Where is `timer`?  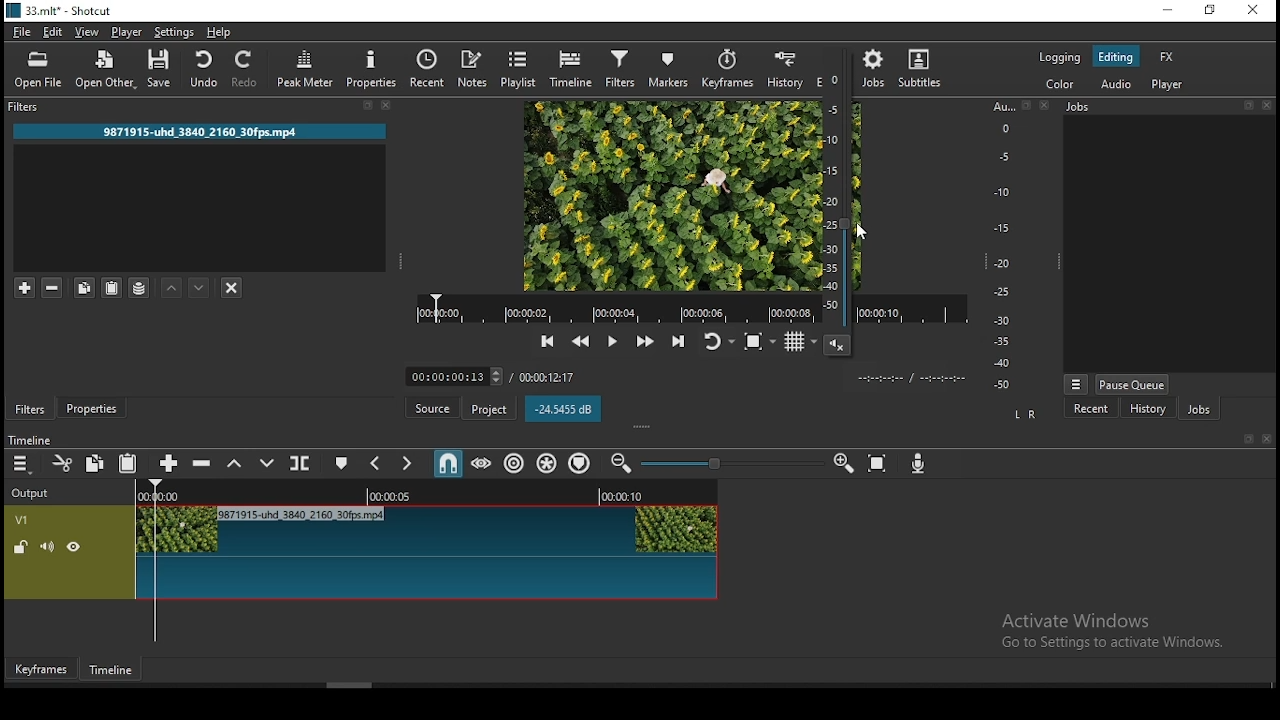 timer is located at coordinates (495, 376).